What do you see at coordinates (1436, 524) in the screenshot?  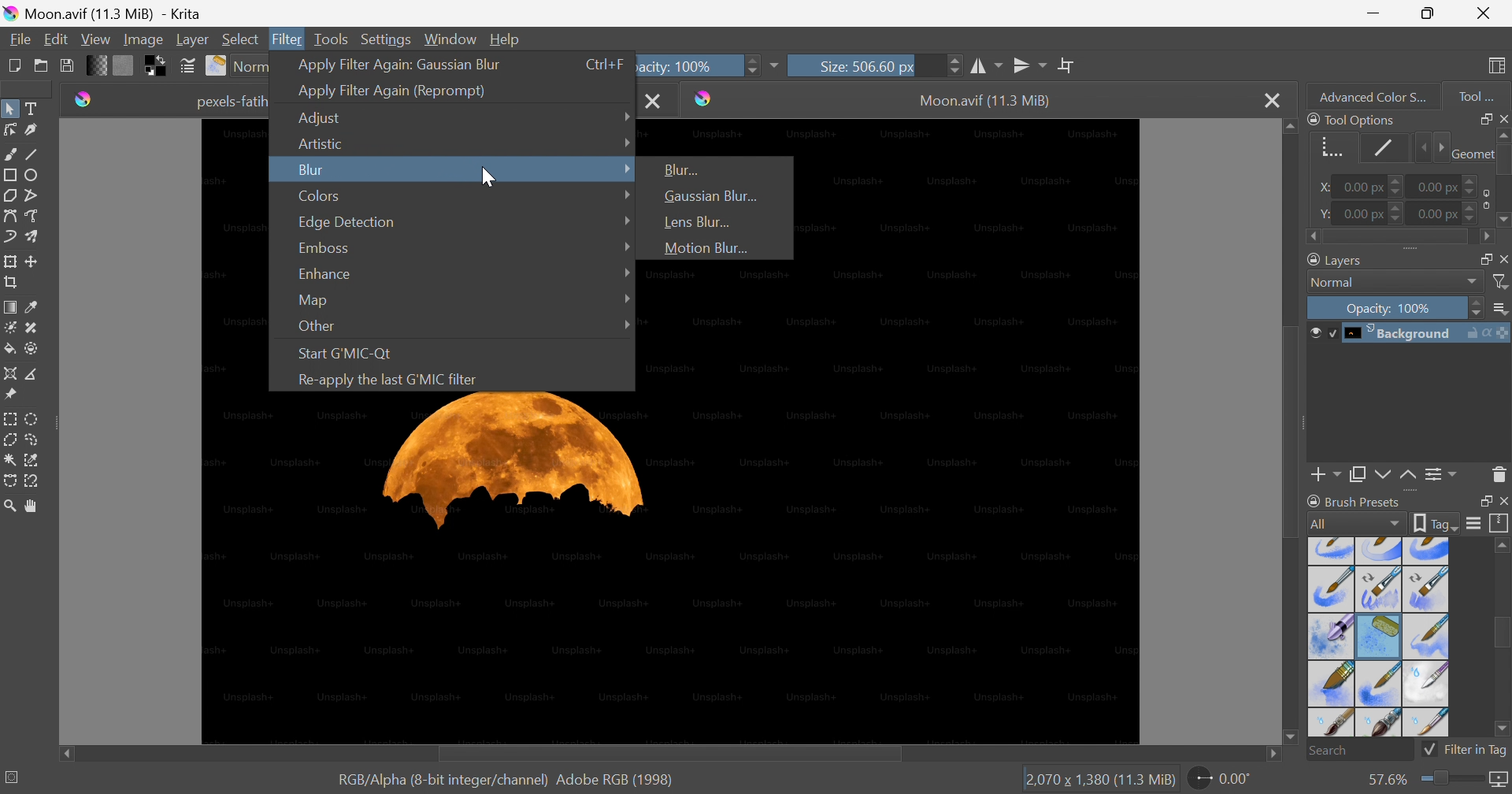 I see `tag` at bounding box center [1436, 524].